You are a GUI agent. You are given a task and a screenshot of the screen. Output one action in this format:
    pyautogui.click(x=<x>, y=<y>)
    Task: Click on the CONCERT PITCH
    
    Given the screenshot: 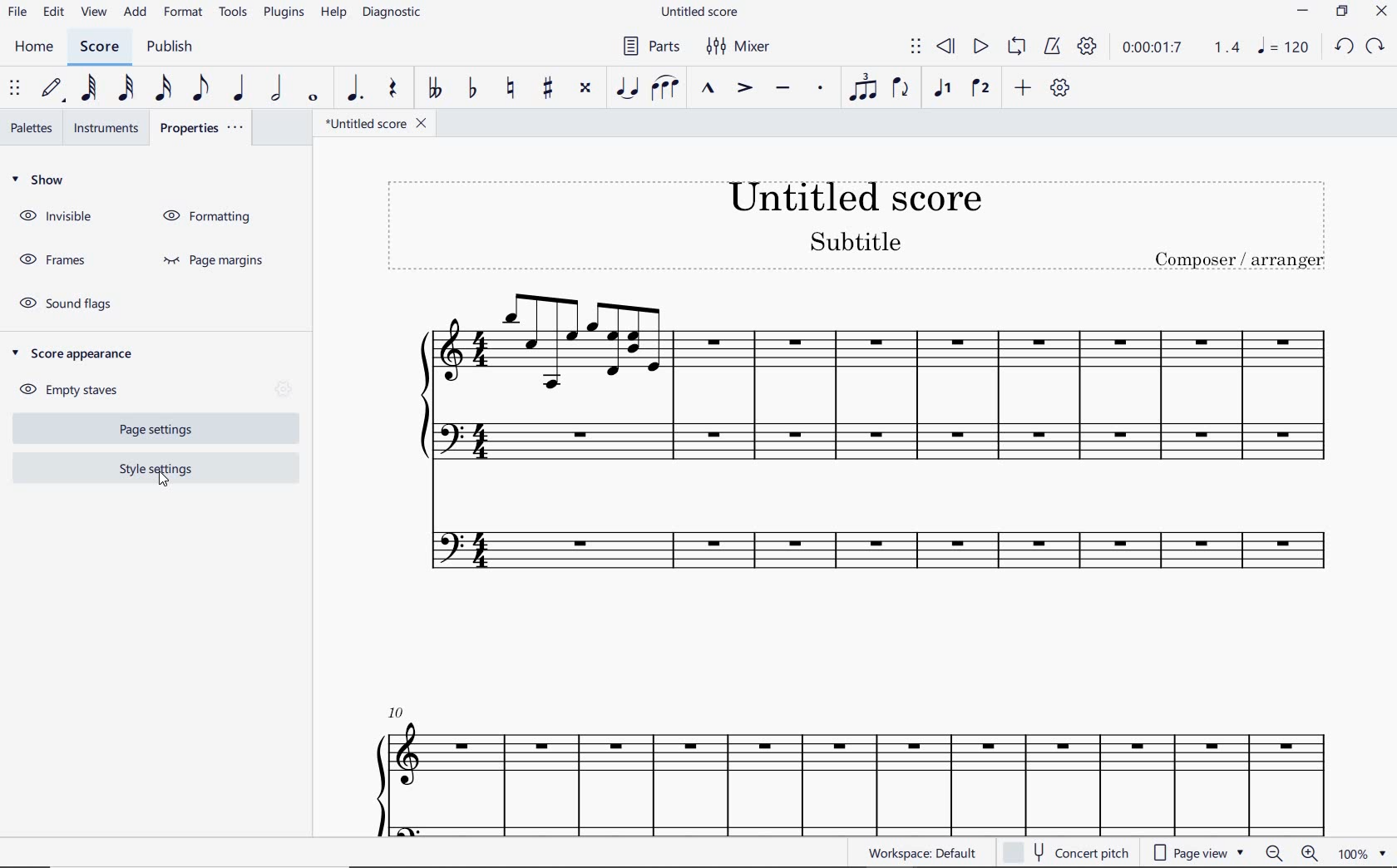 What is the action you would take?
    pyautogui.click(x=1068, y=852)
    